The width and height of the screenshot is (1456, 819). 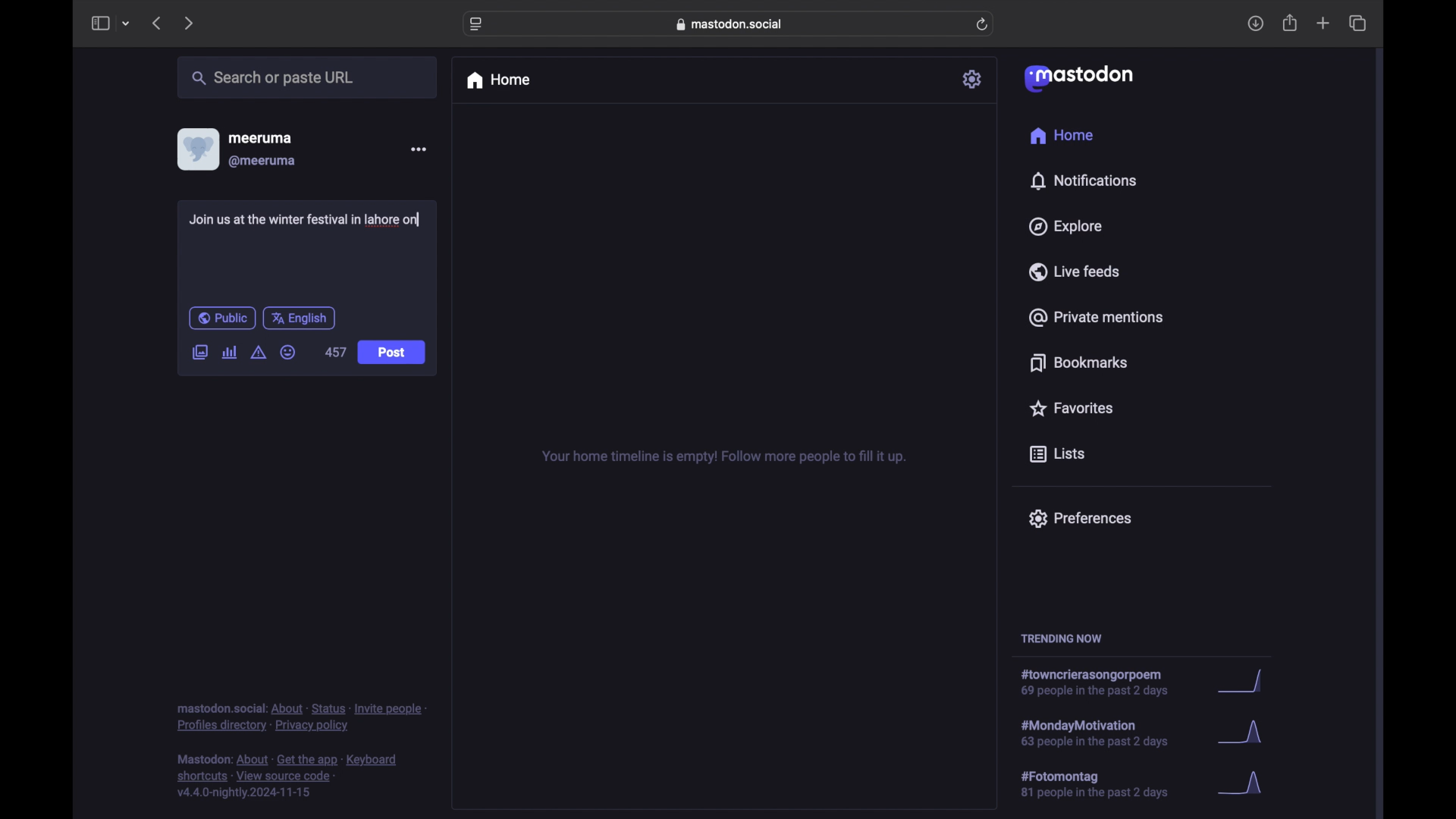 What do you see at coordinates (422, 219) in the screenshot?
I see `text cursor` at bounding box center [422, 219].